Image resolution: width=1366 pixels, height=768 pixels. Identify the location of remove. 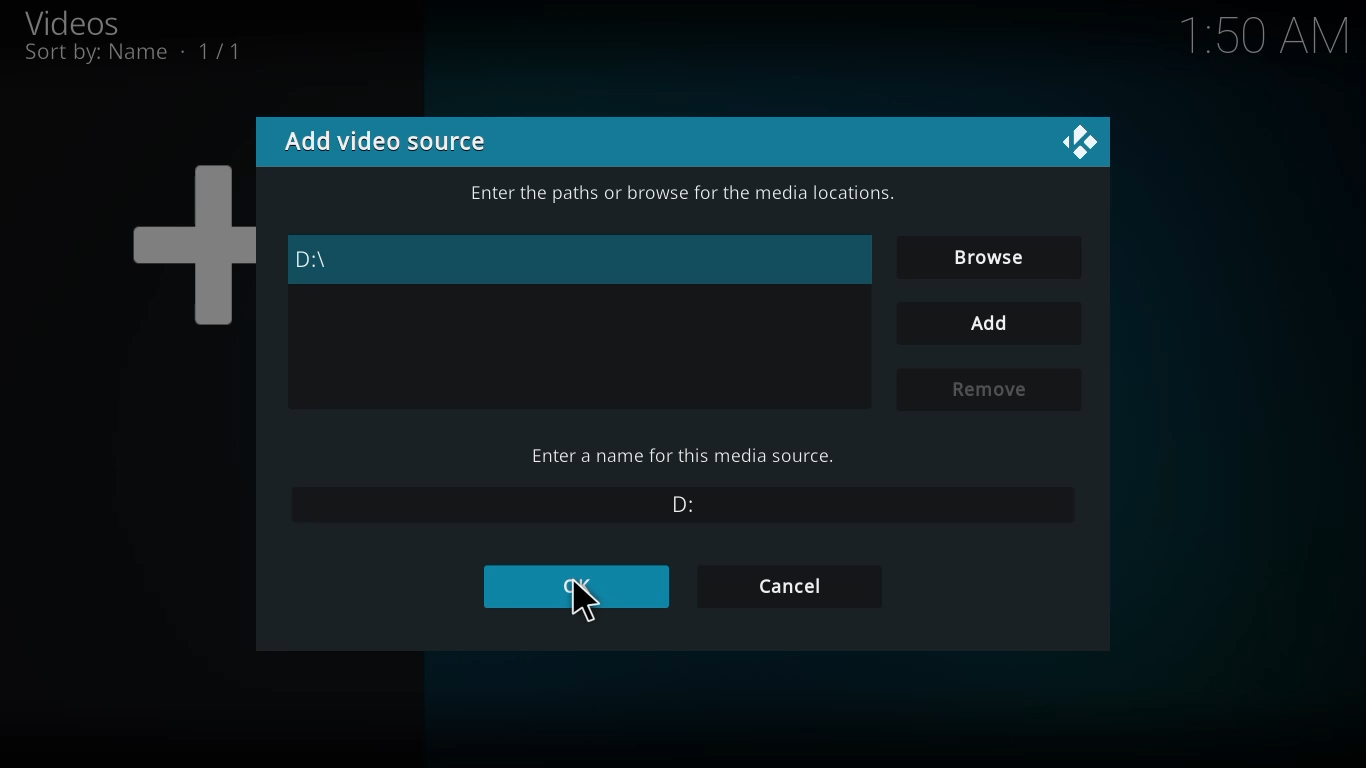
(985, 390).